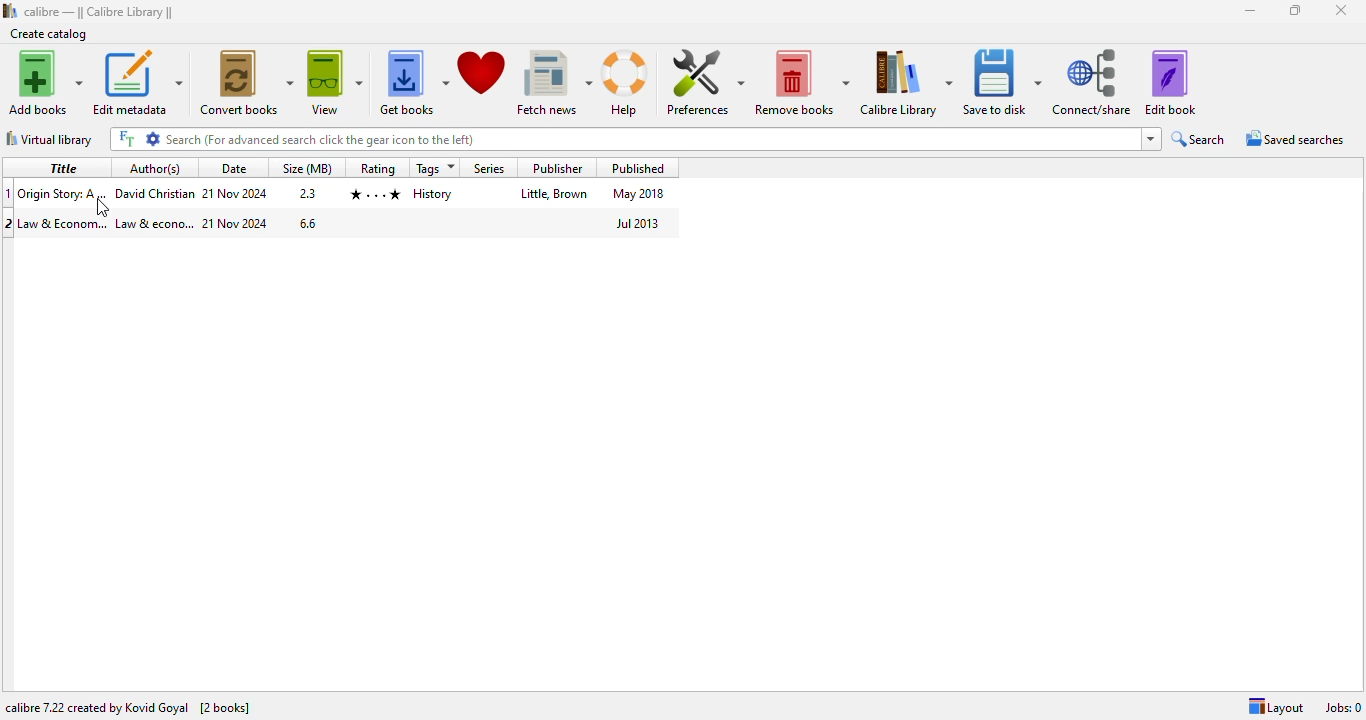 The width and height of the screenshot is (1366, 720). I want to click on Title, so click(64, 224).